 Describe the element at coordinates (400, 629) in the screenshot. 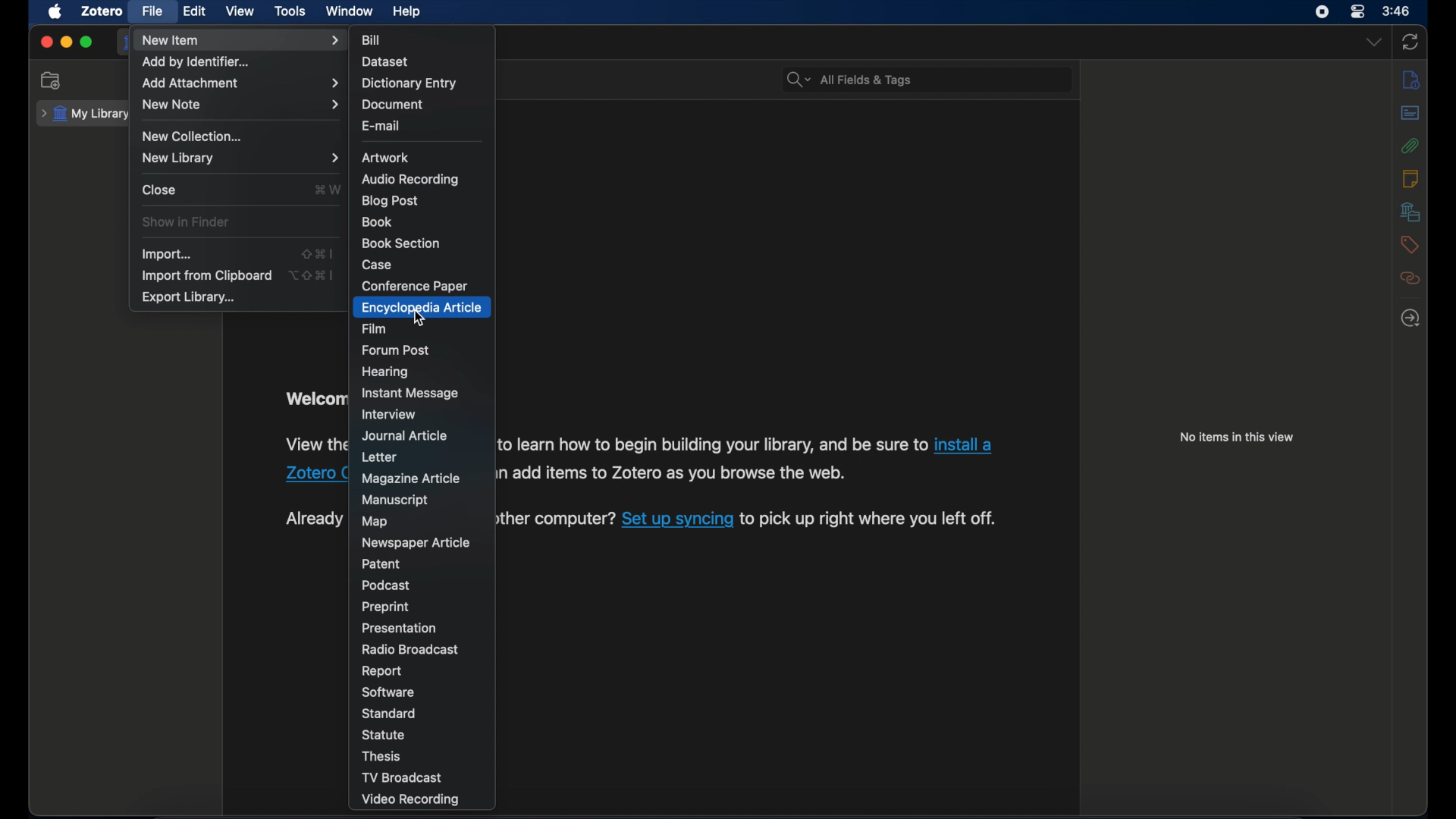

I see `presentation` at that location.